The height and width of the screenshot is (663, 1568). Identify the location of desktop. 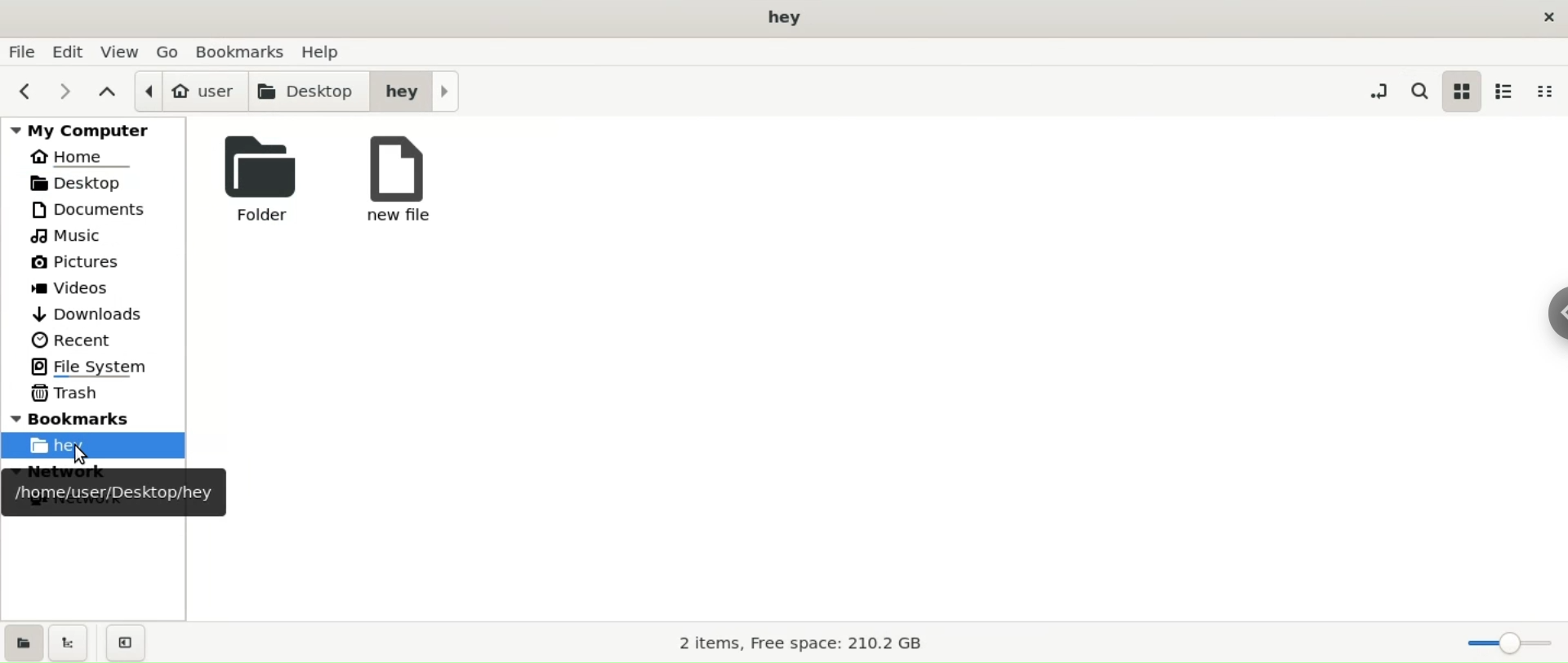
(310, 92).